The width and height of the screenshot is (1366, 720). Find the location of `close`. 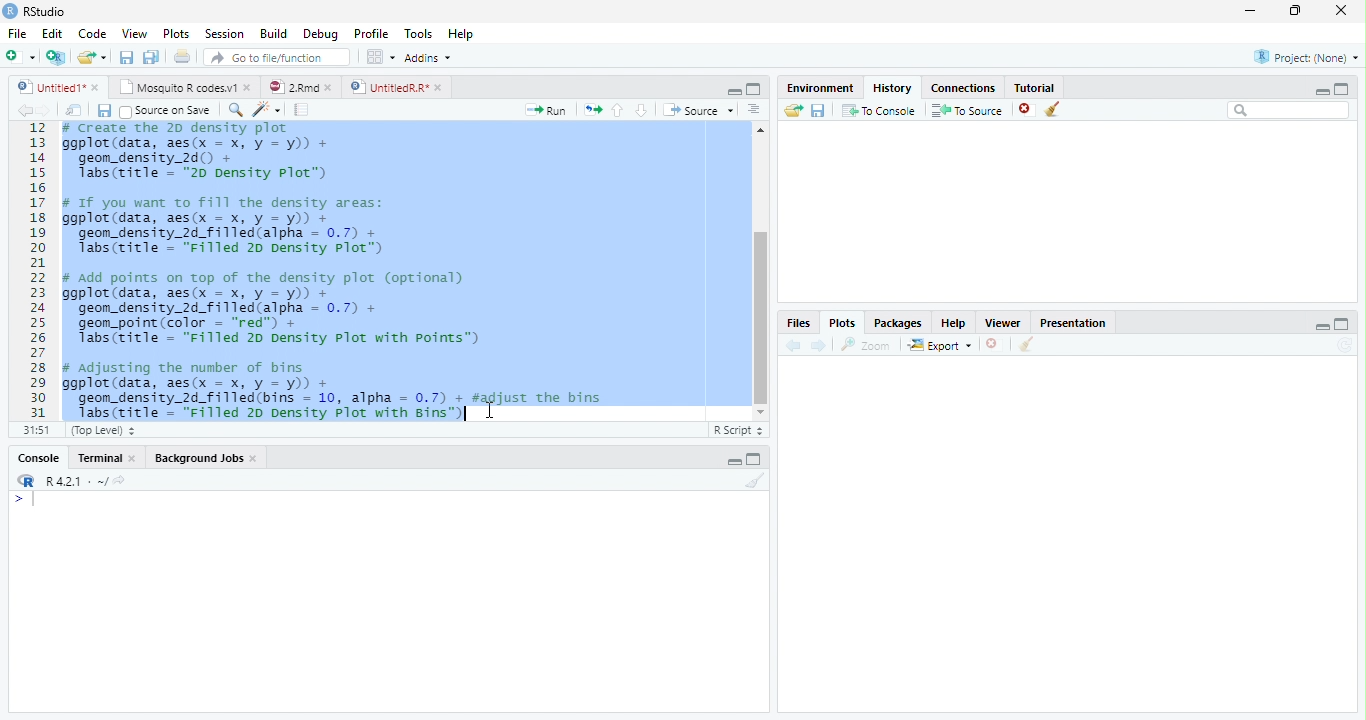

close is located at coordinates (136, 458).